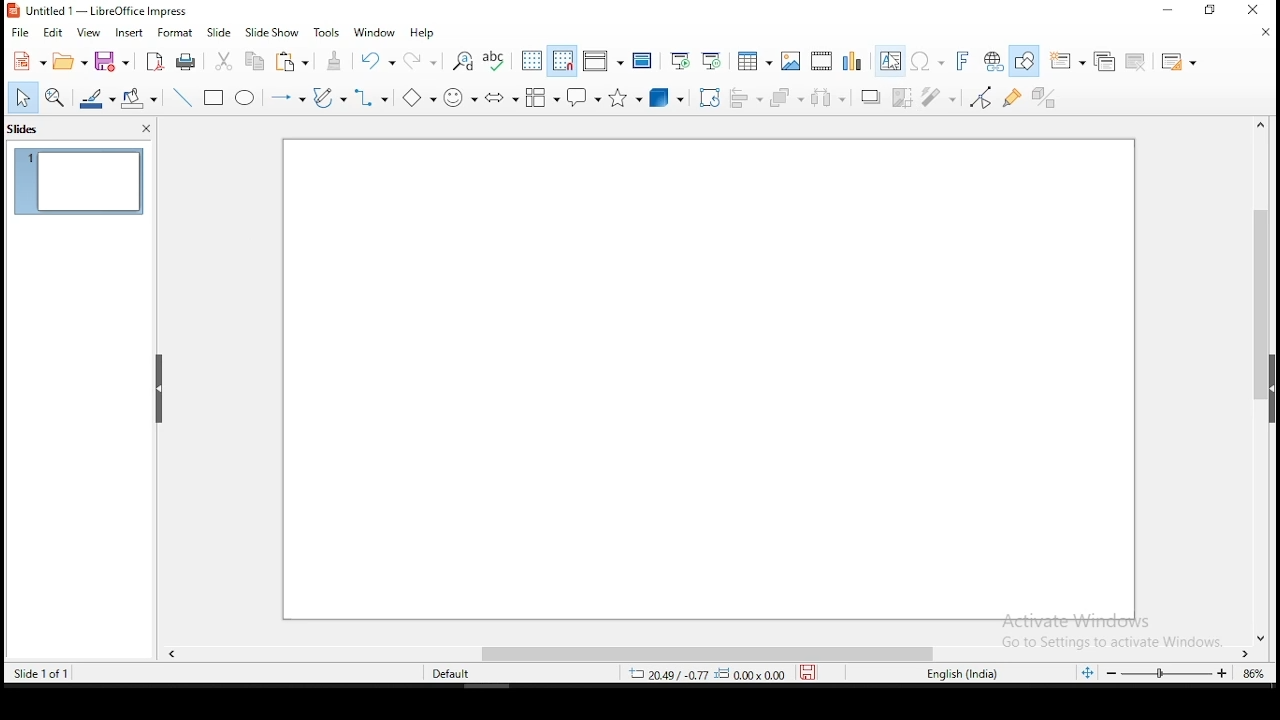  Describe the element at coordinates (52, 99) in the screenshot. I see `zoom and pan` at that location.